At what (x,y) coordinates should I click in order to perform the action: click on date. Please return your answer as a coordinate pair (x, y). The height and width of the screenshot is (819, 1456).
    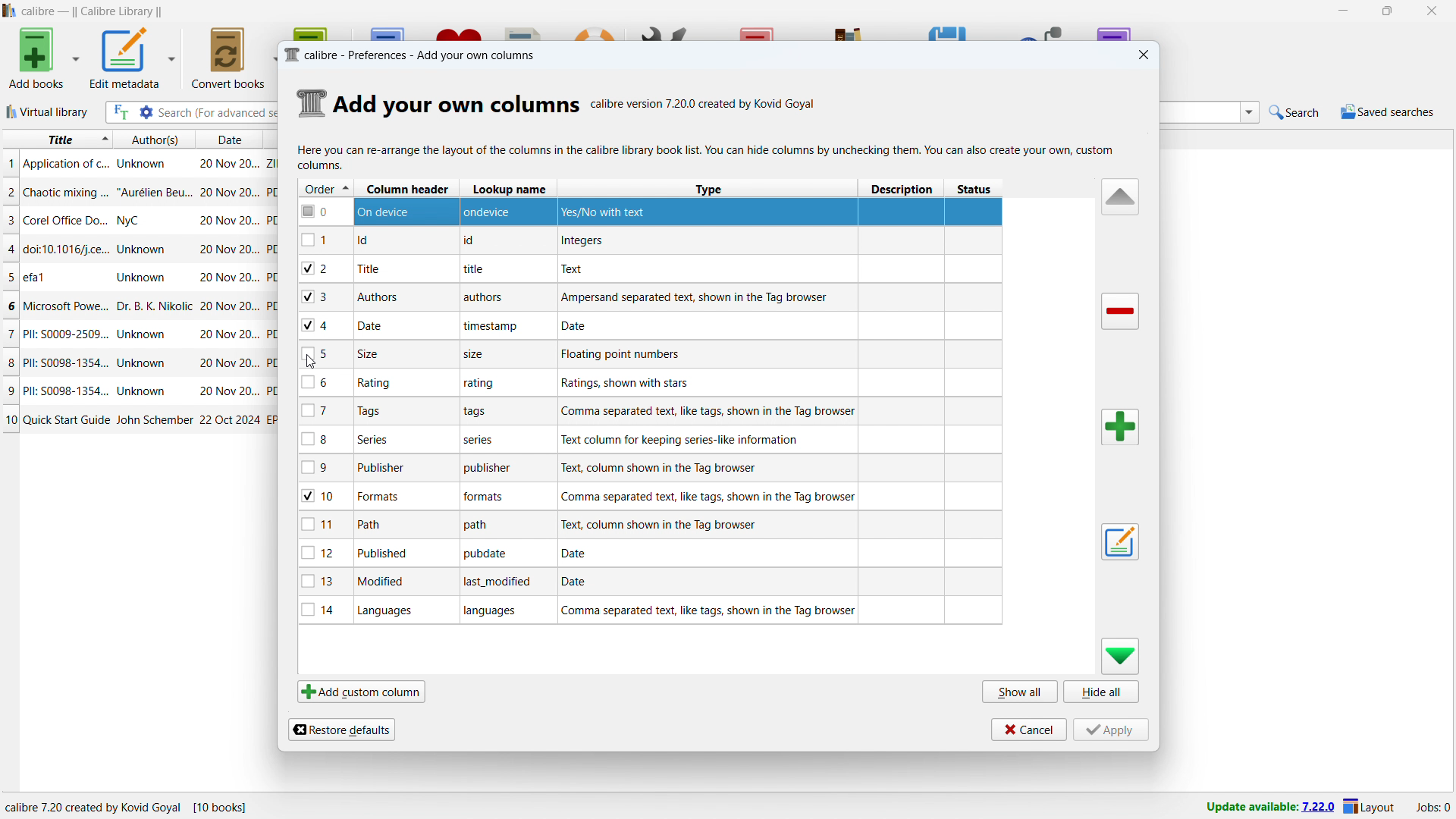
    Looking at the image, I should click on (227, 278).